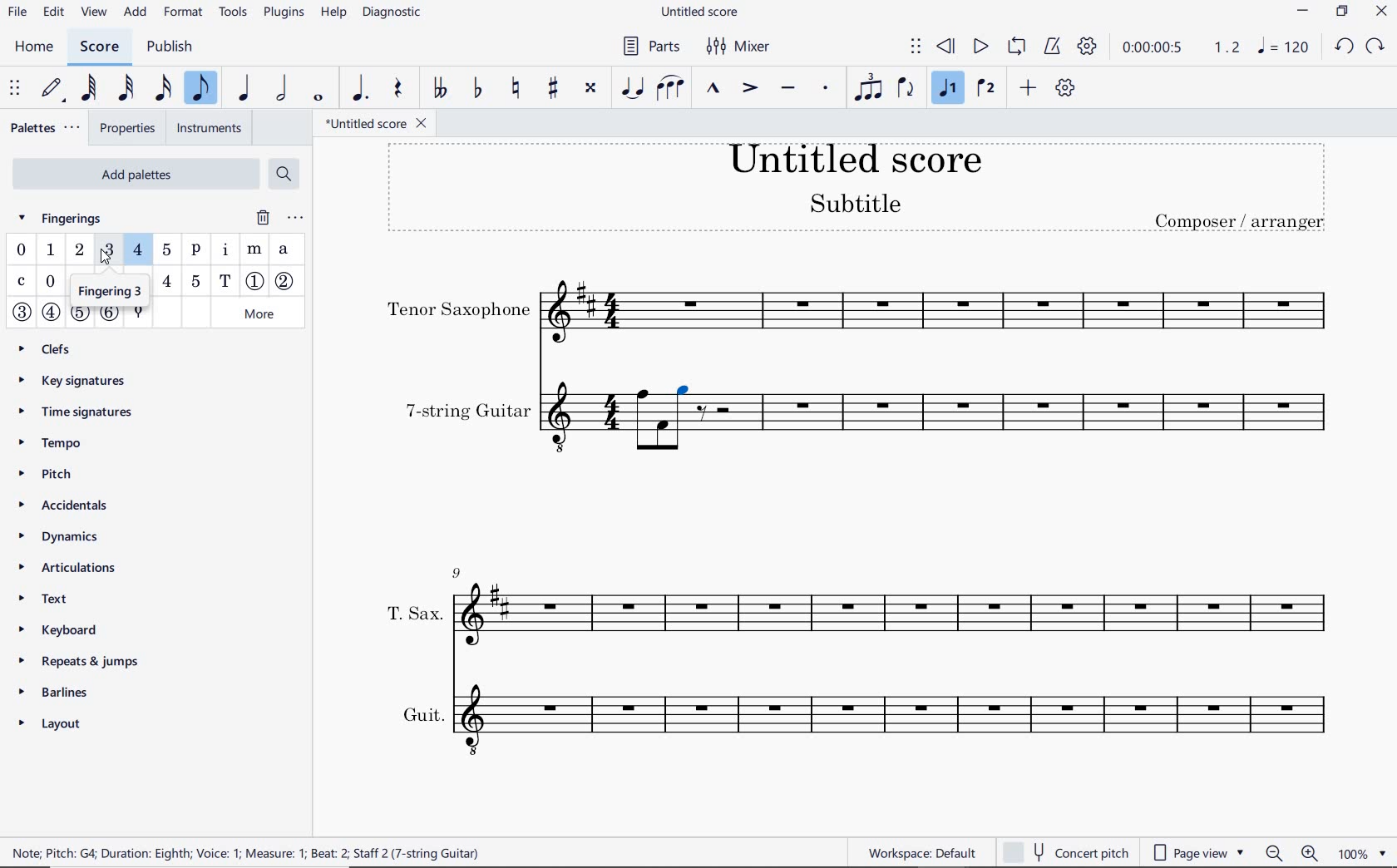 This screenshot has width=1397, height=868. What do you see at coordinates (246, 89) in the screenshot?
I see `QUARTER NOTE` at bounding box center [246, 89].